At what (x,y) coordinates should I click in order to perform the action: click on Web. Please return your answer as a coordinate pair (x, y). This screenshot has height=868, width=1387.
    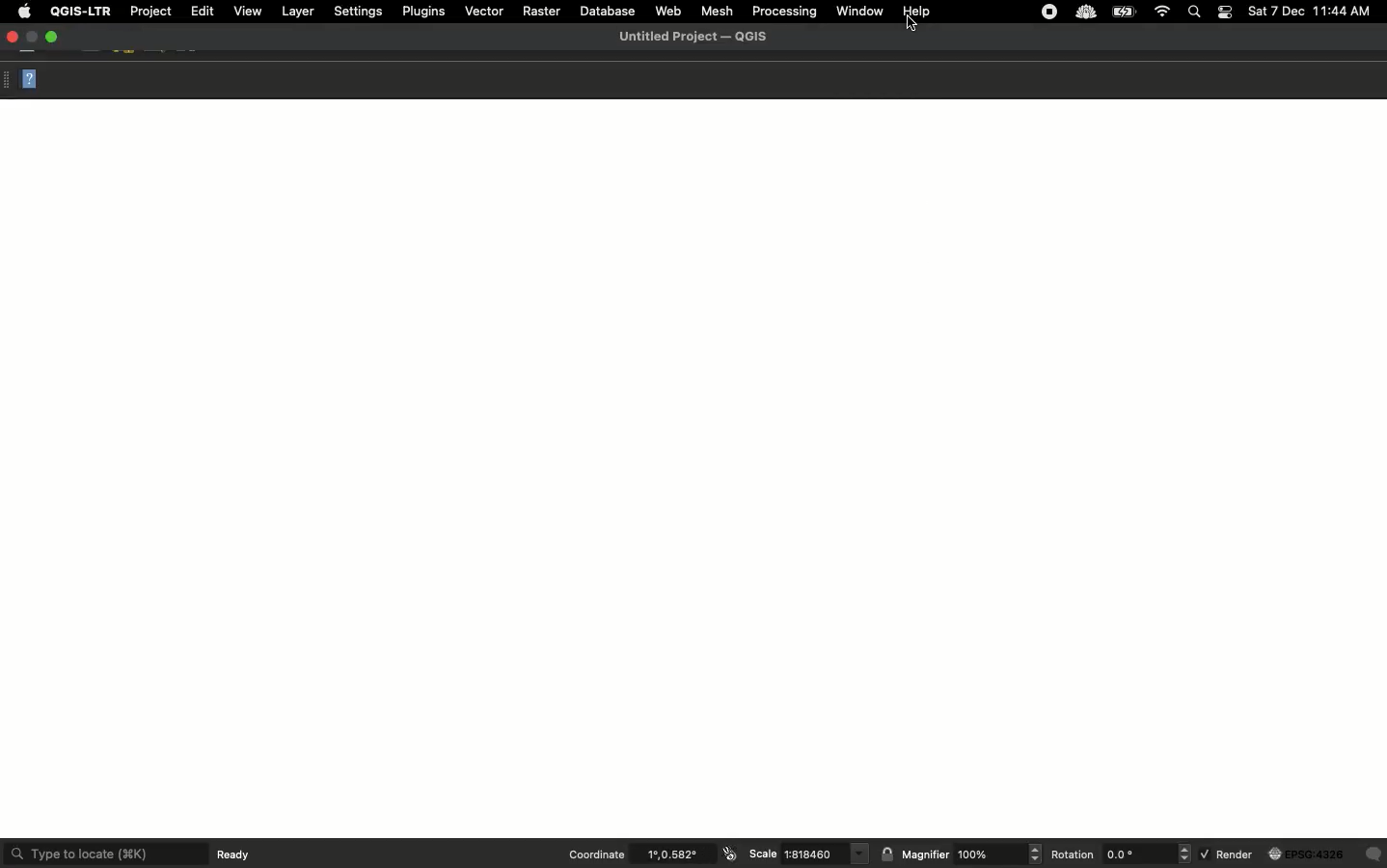
    Looking at the image, I should click on (671, 12).